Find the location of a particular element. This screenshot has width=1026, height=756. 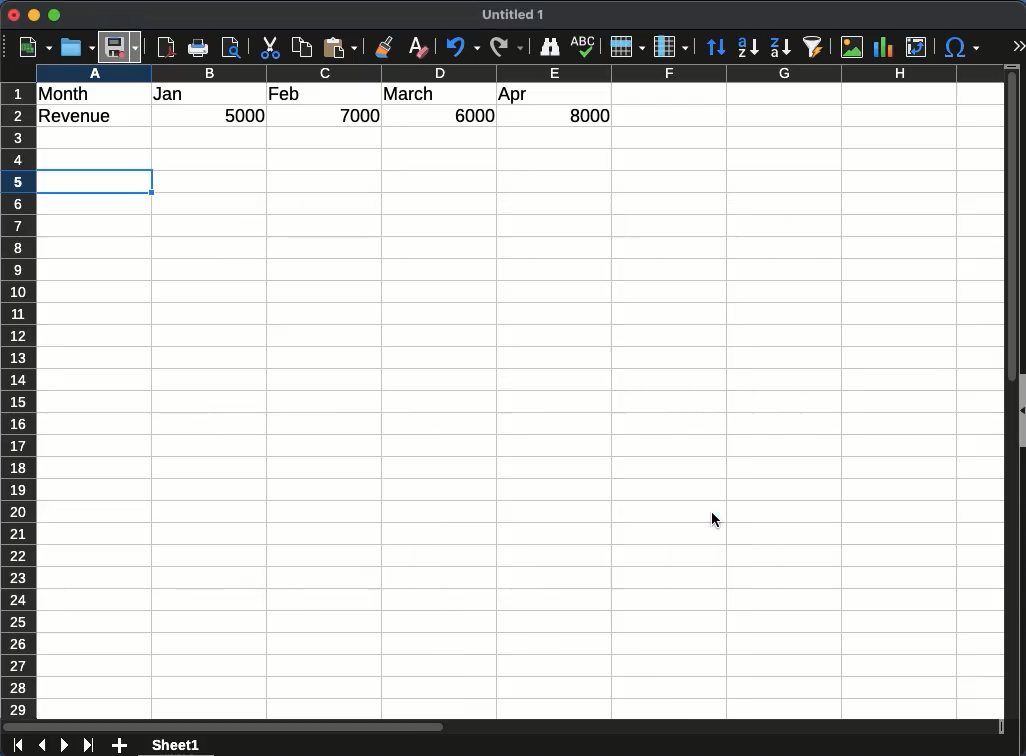

copy is located at coordinates (303, 48).